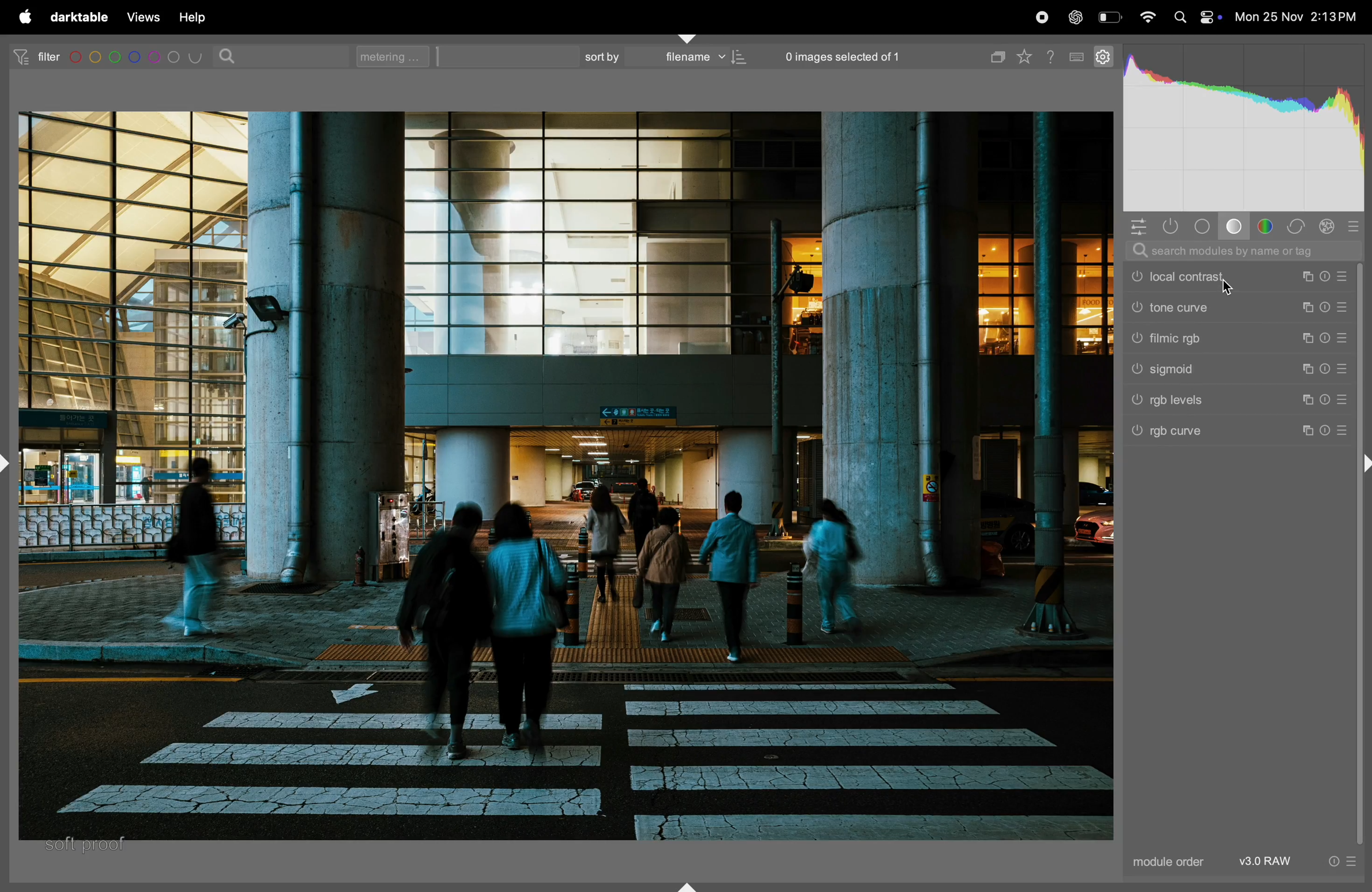 This screenshot has width=1372, height=892. I want to click on search, so click(230, 55).